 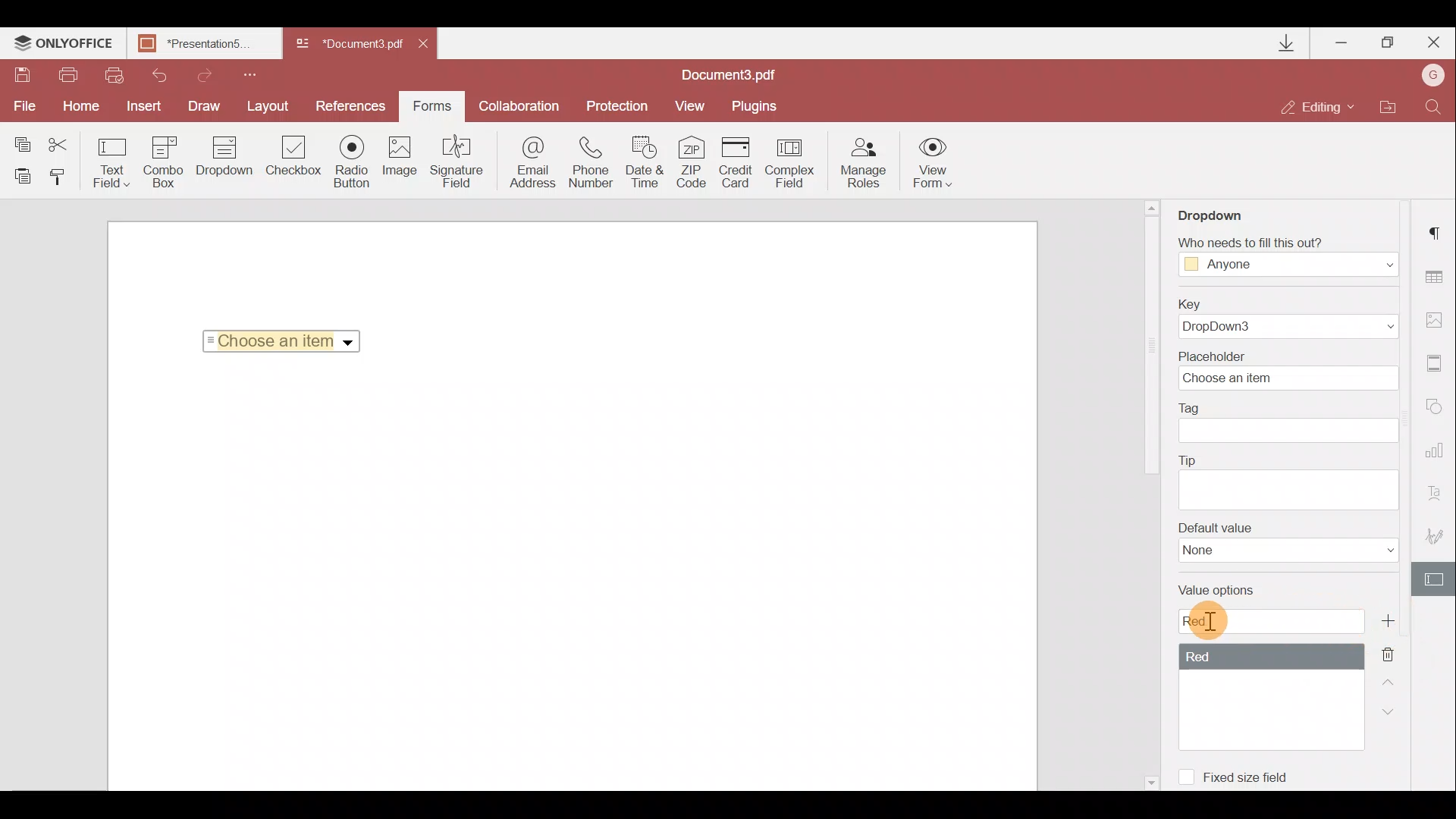 I want to click on Signature settings, so click(x=1433, y=531).